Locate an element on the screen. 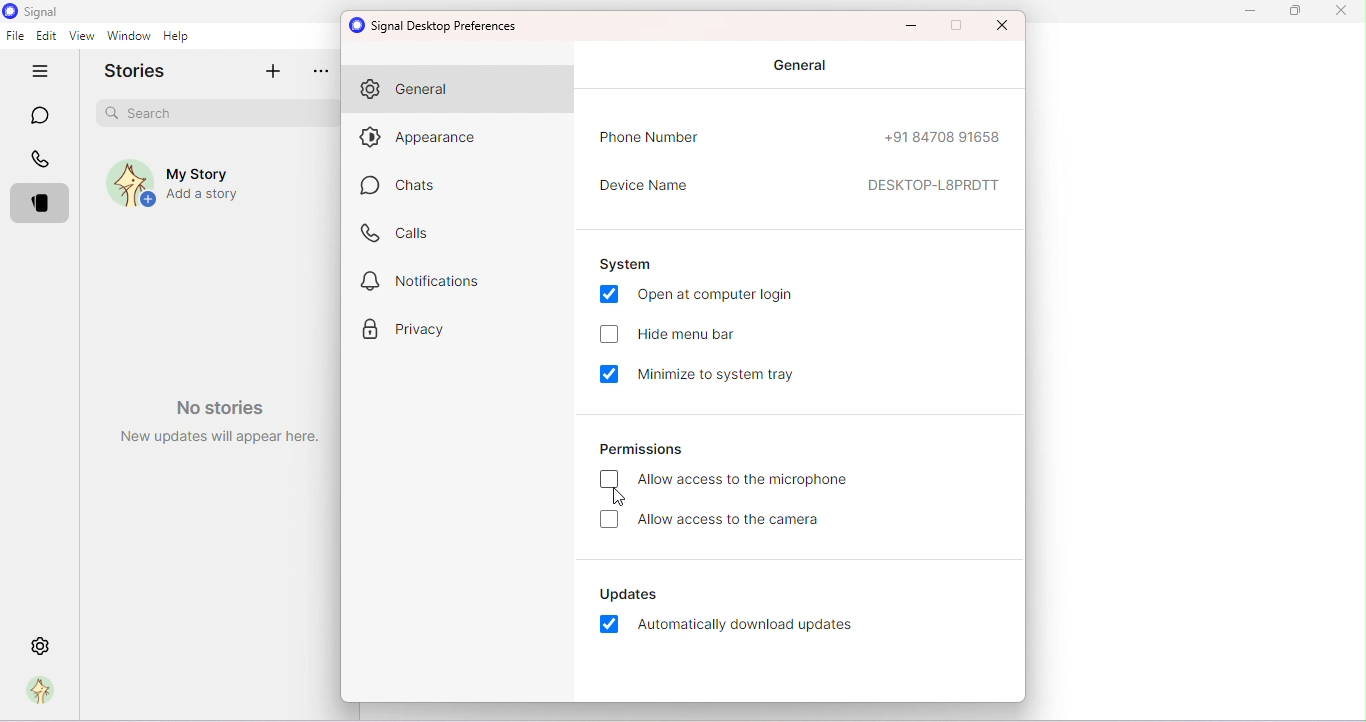 The image size is (1366, 722). Privacy is located at coordinates (405, 335).